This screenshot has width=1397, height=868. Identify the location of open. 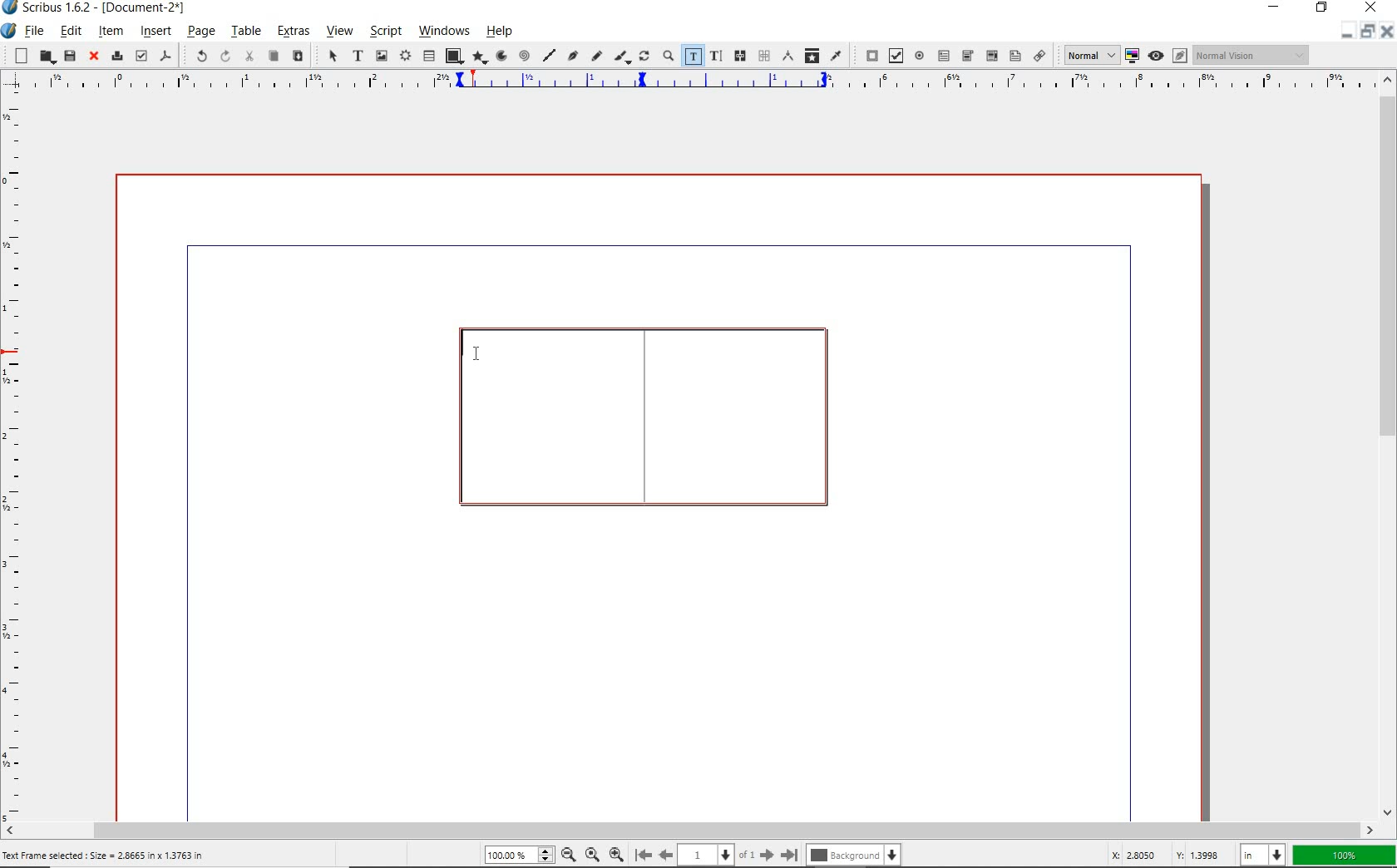
(46, 57).